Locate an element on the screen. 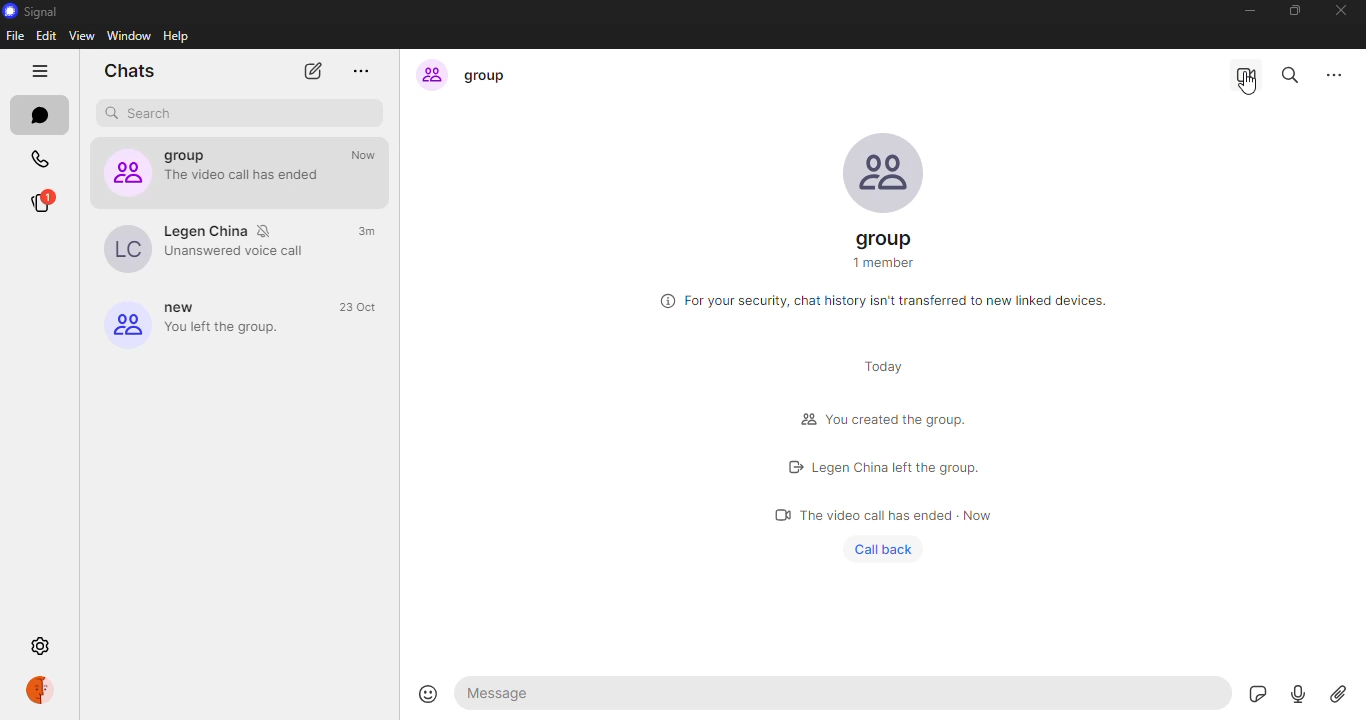 The image size is (1366, 720). time is located at coordinates (368, 308).